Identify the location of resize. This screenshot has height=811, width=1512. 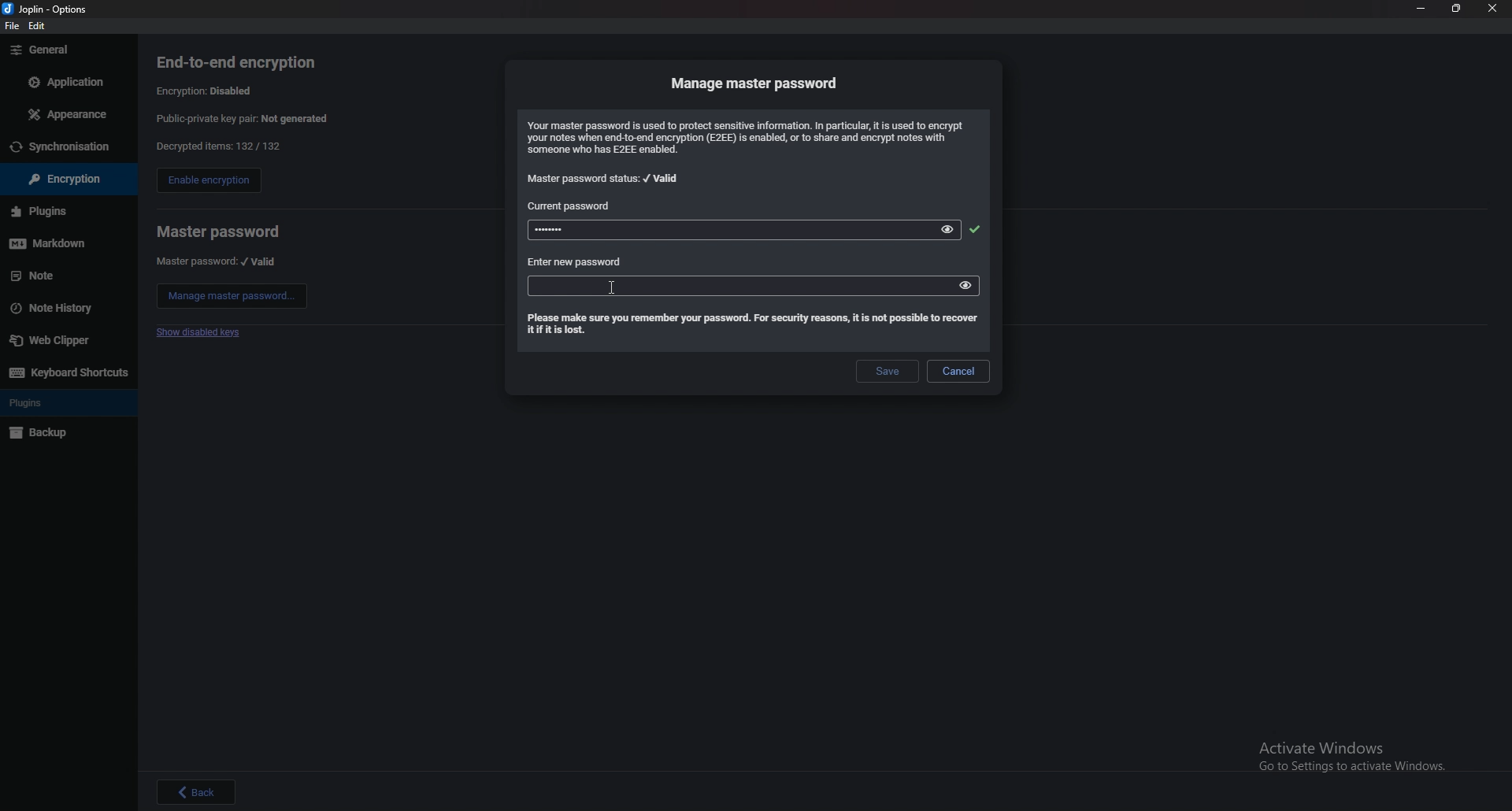
(1458, 9).